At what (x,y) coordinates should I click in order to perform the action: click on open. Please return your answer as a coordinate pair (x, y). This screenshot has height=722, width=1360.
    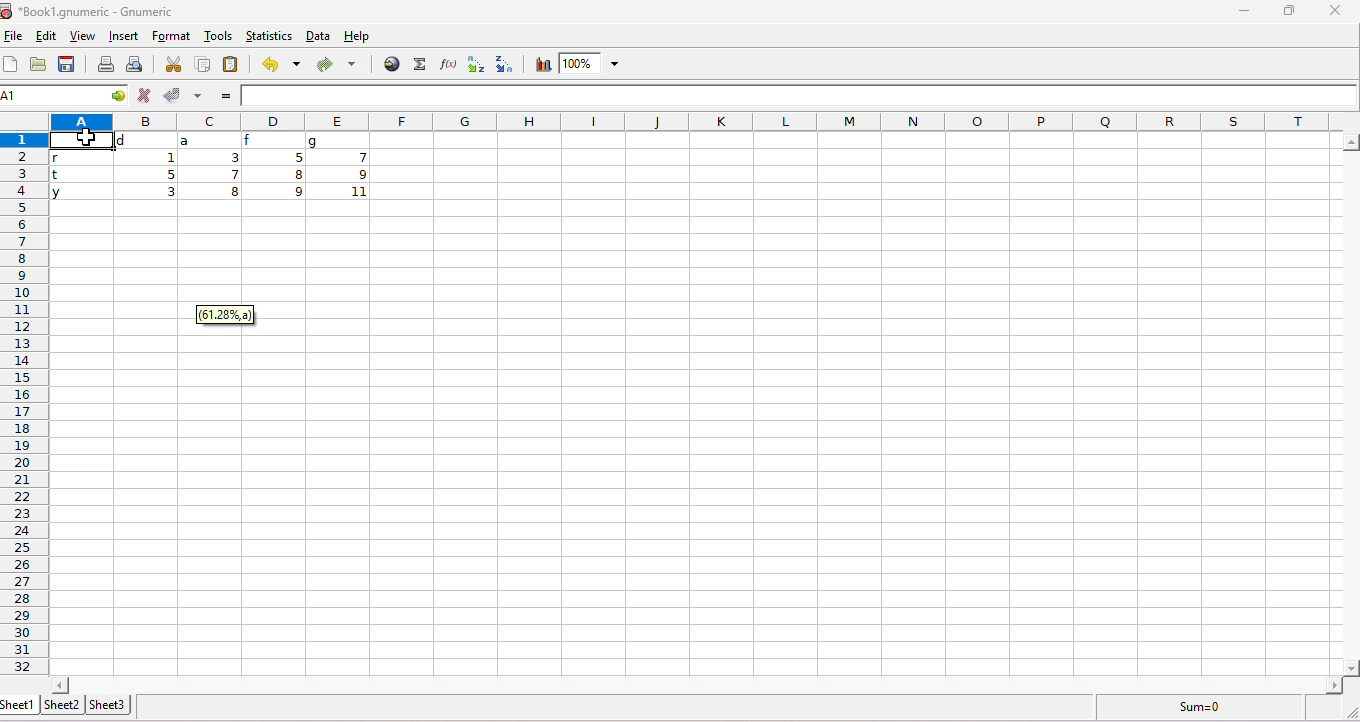
    Looking at the image, I should click on (38, 65).